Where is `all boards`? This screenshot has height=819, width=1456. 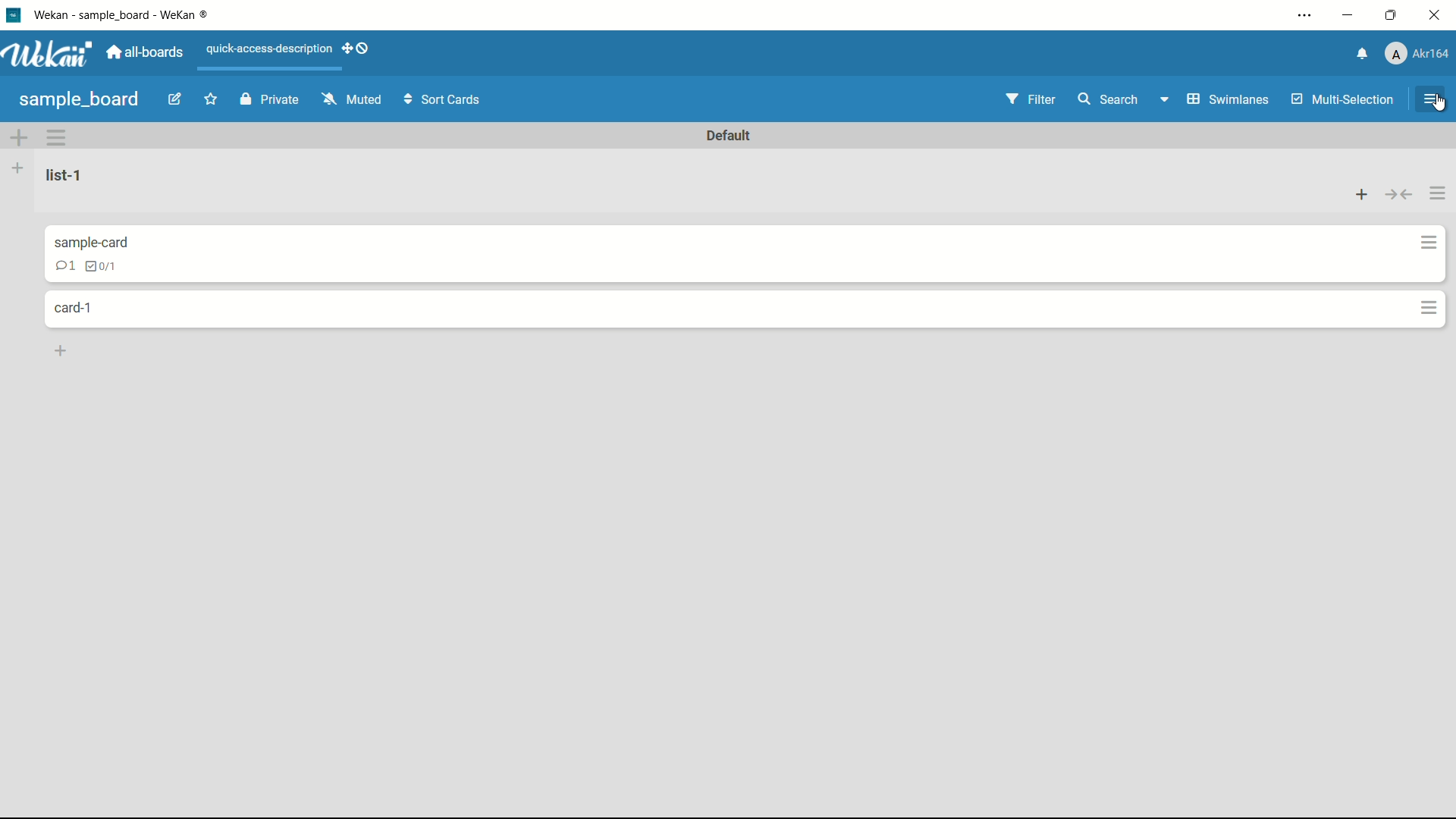 all boards is located at coordinates (144, 52).